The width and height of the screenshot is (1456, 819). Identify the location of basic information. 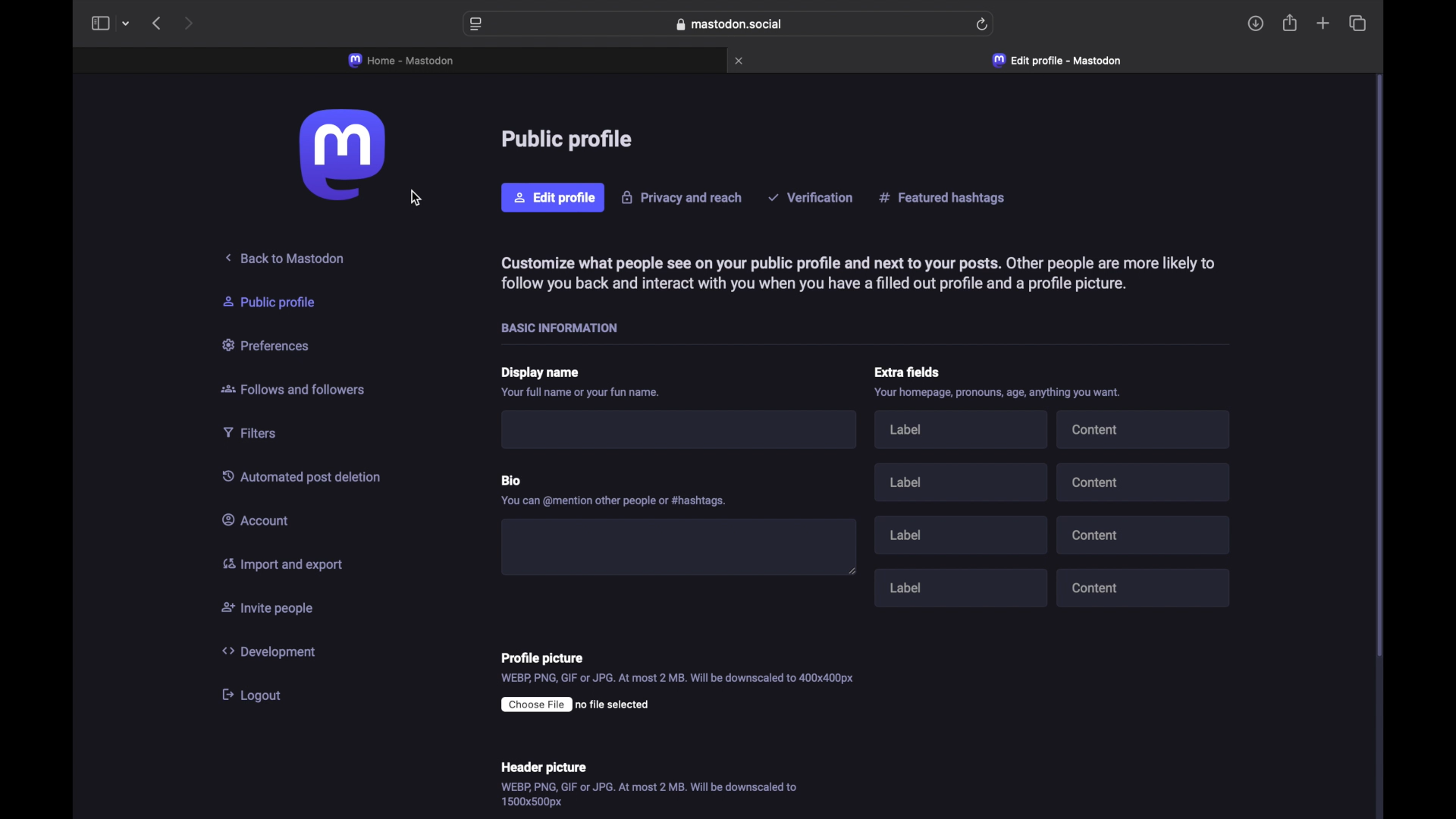
(559, 327).